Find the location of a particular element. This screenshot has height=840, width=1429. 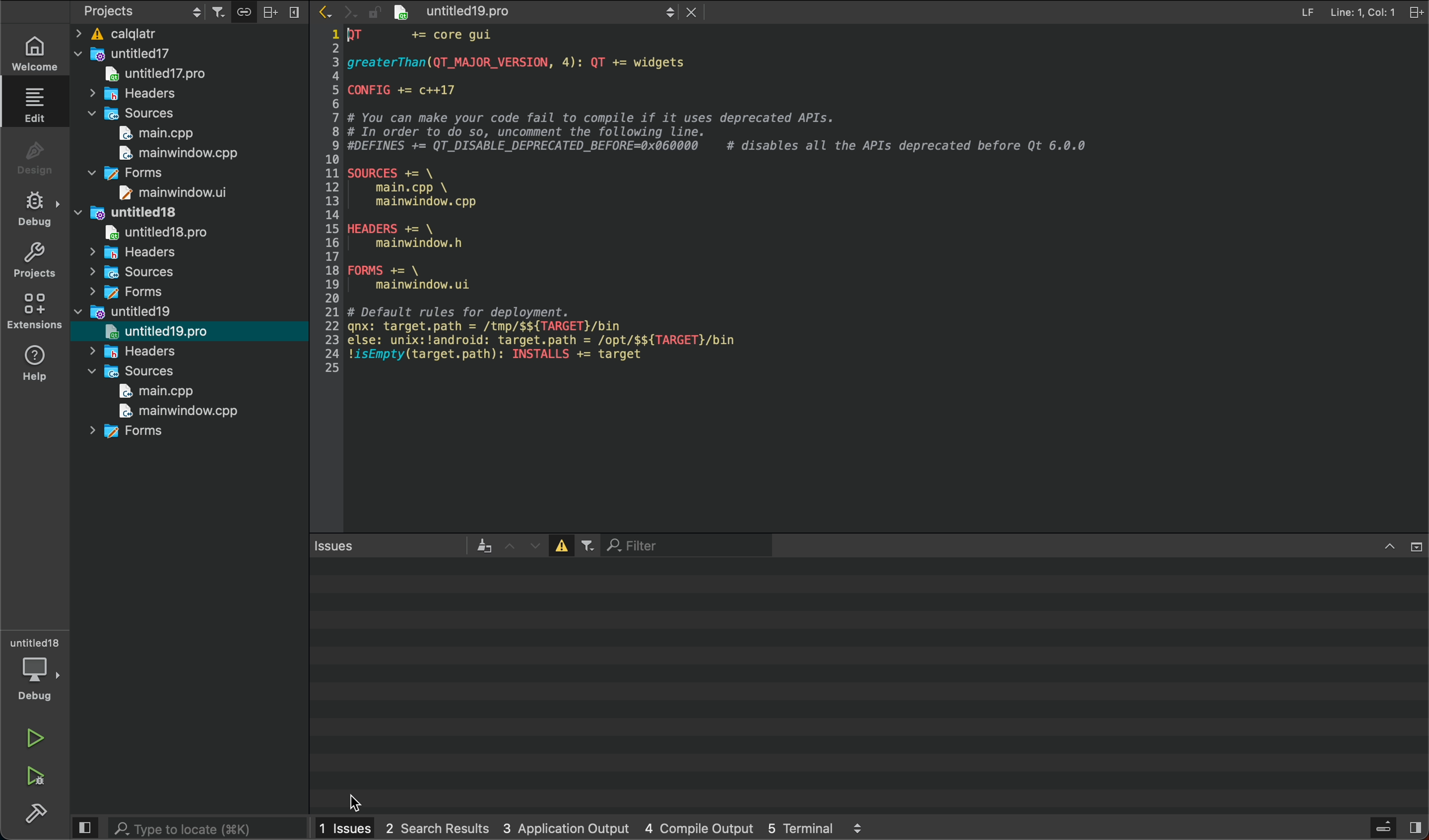

untitled17 is located at coordinates (136, 53).